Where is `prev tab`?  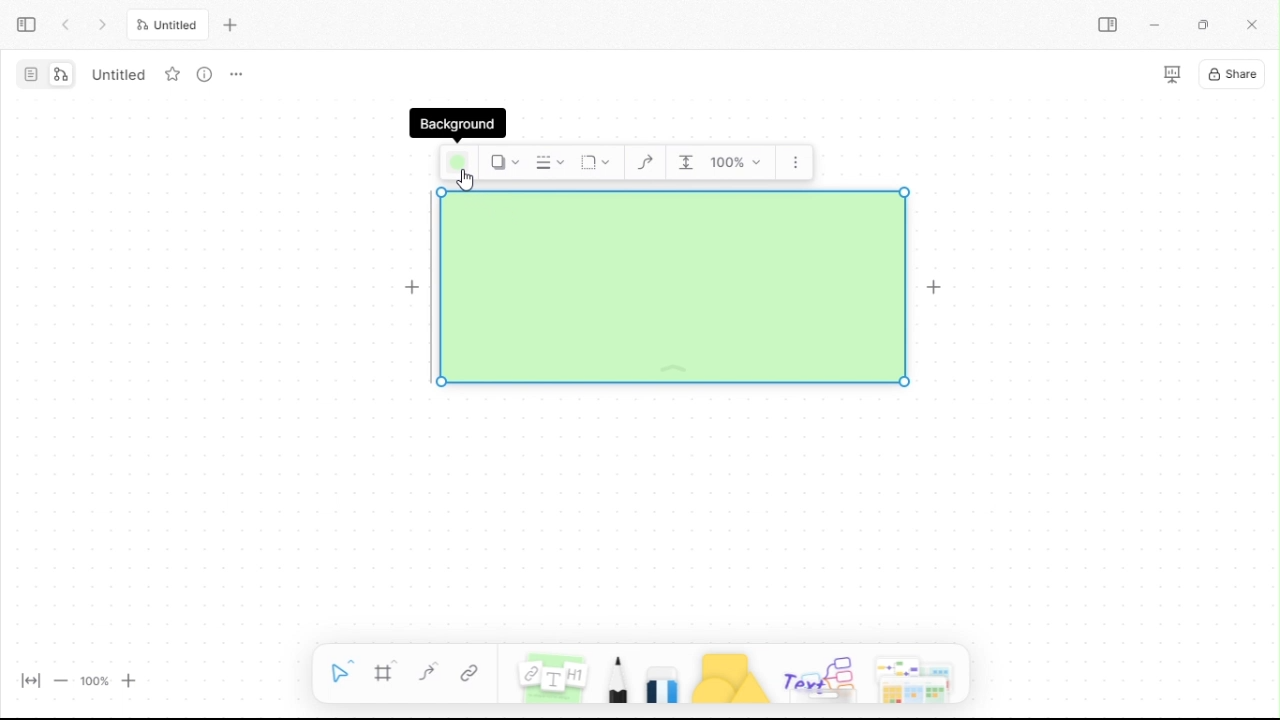
prev tab is located at coordinates (66, 26).